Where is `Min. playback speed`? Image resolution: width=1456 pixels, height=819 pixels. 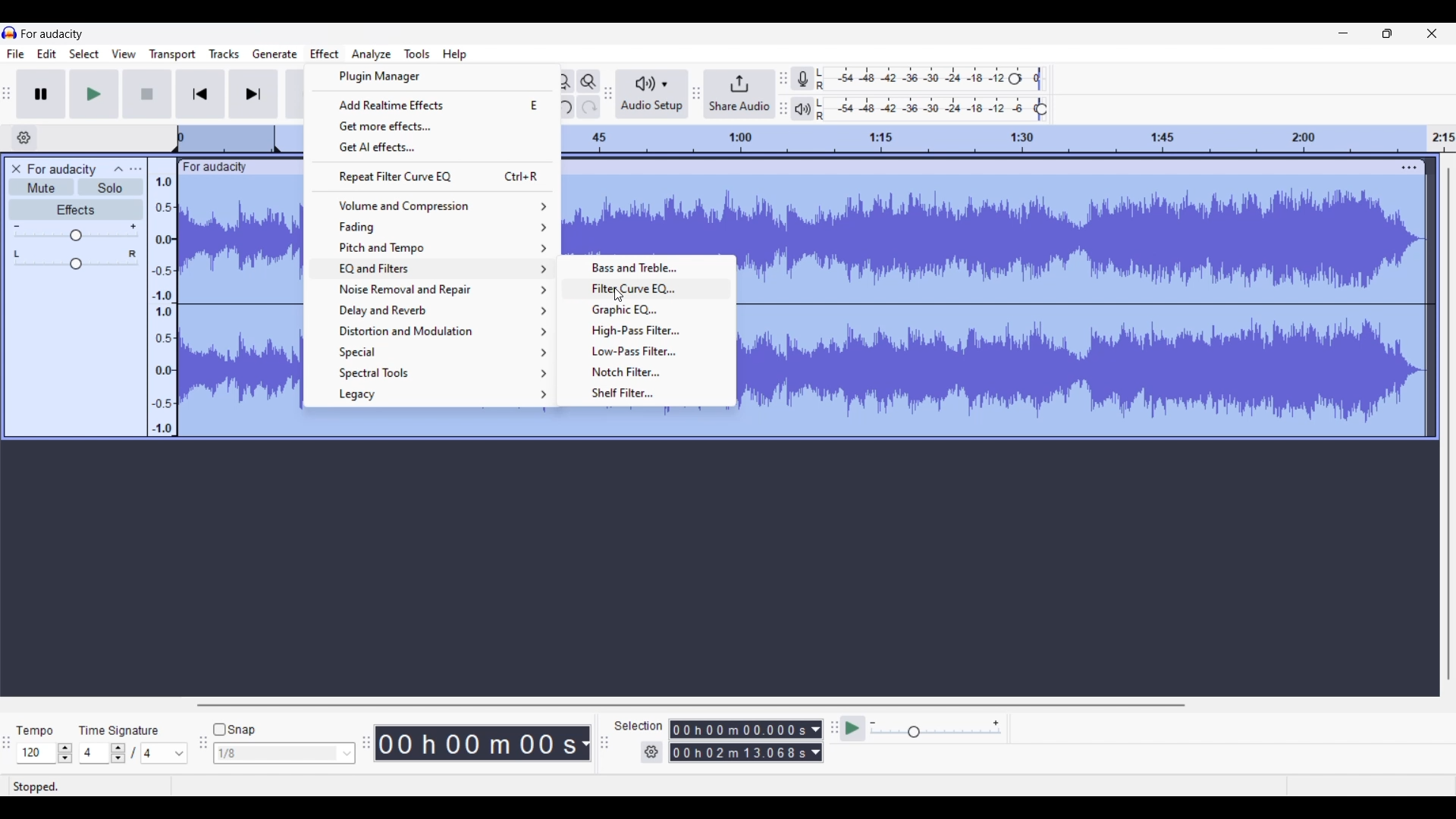
Min. playback speed is located at coordinates (874, 723).